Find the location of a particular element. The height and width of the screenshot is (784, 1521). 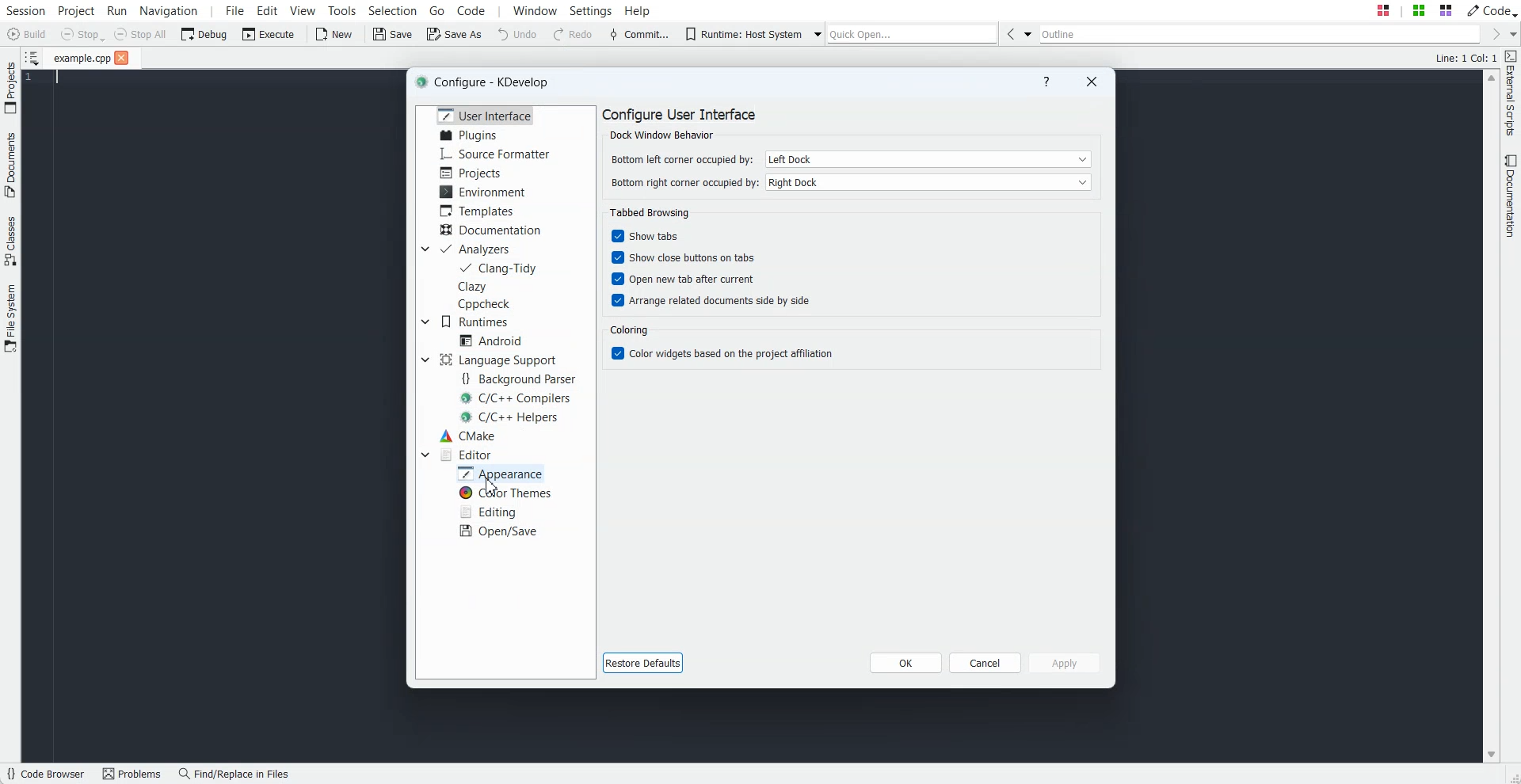

OK is located at coordinates (906, 662).